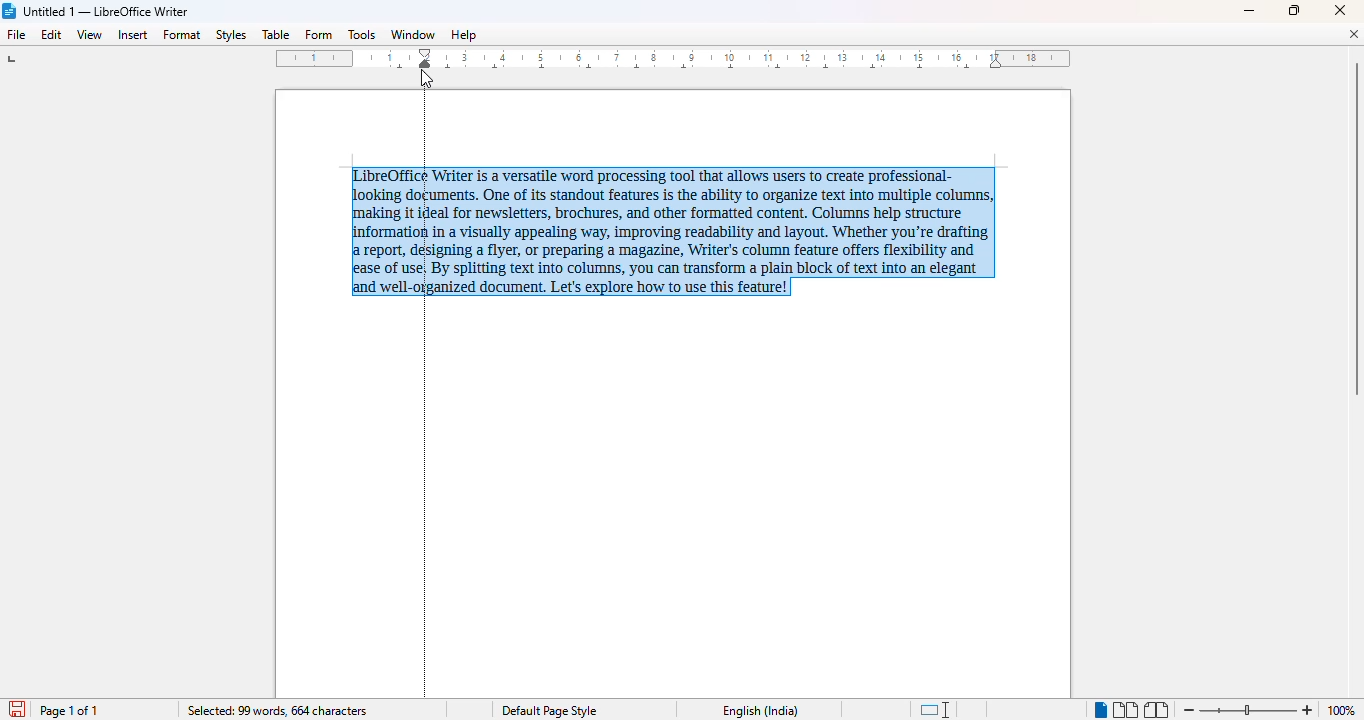  What do you see at coordinates (278, 711) in the screenshot?
I see `selected: 99 words 664 characters` at bounding box center [278, 711].